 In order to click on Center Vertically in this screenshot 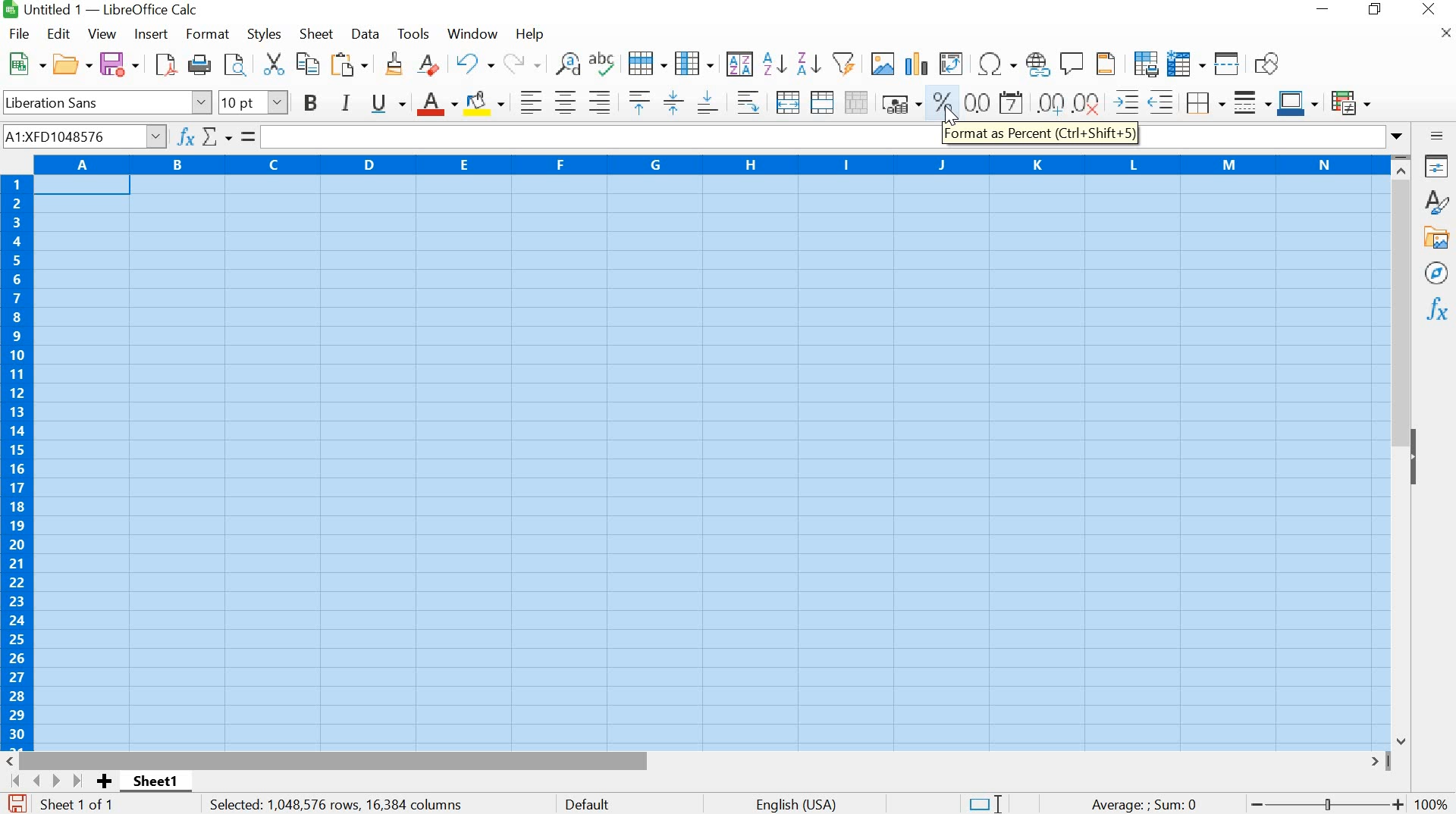, I will do `click(670, 104)`.